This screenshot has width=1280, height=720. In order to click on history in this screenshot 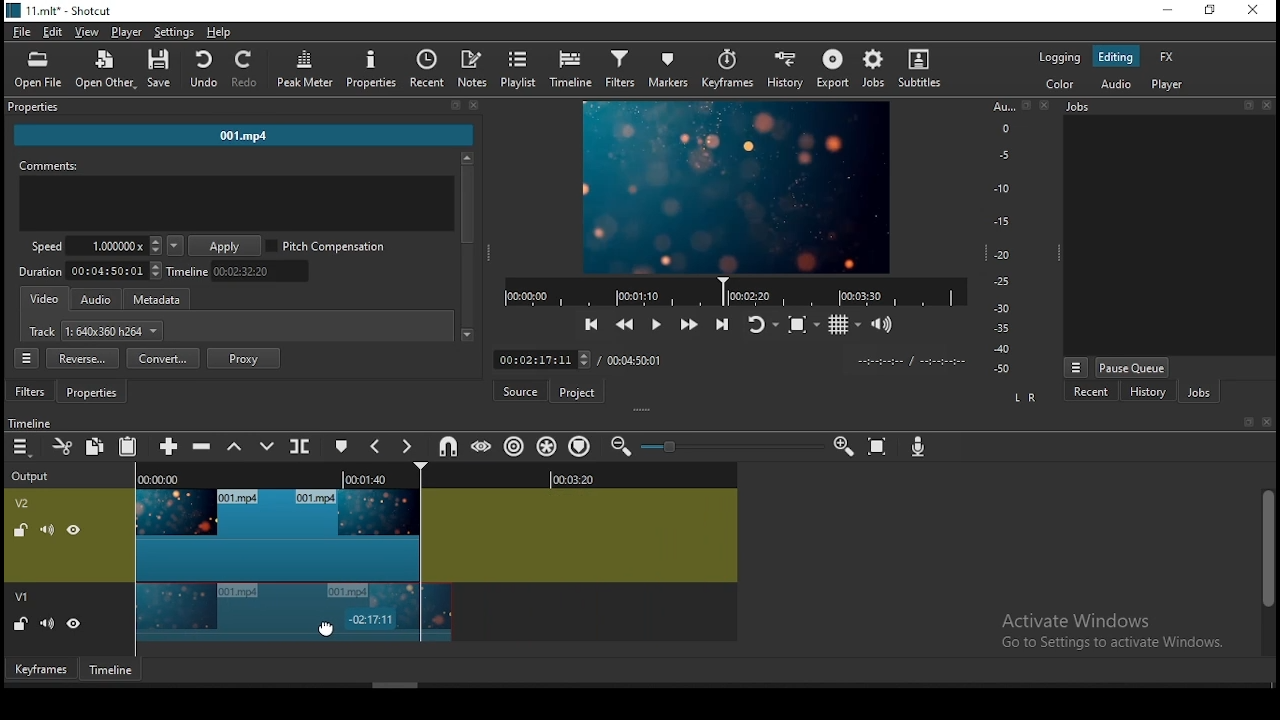, I will do `click(790, 70)`.